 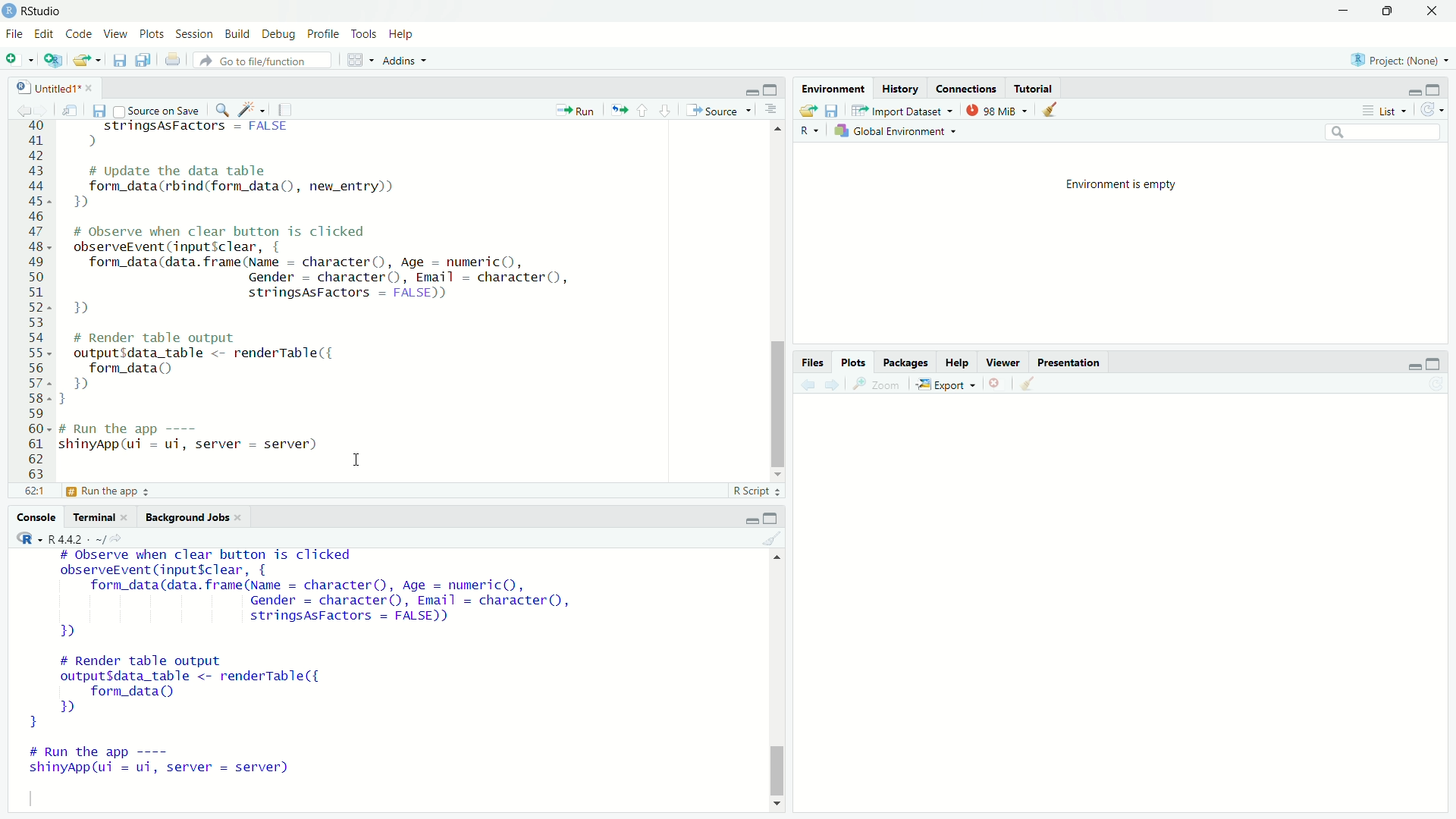 I want to click on new file, so click(x=18, y=60).